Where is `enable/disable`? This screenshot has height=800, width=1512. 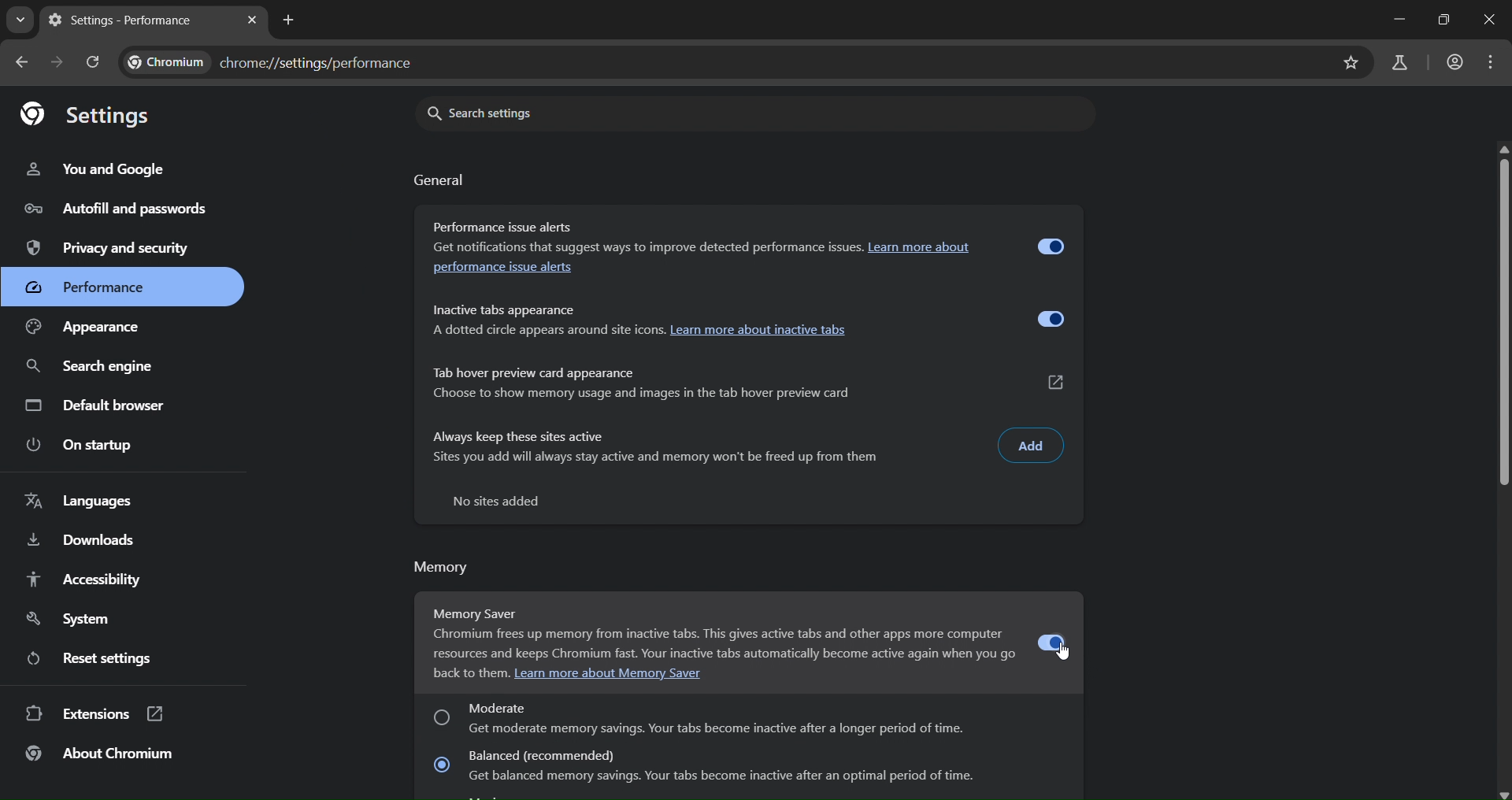 enable/disable is located at coordinates (1054, 642).